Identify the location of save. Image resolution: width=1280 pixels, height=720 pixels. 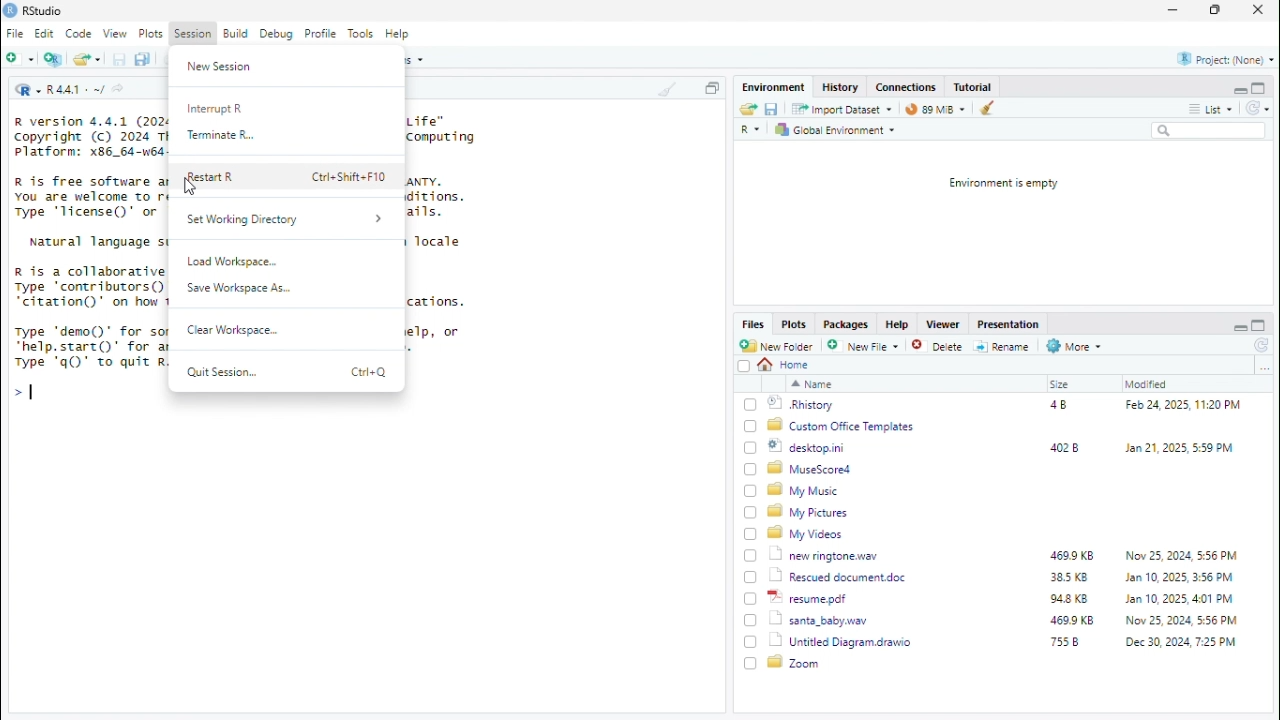
(119, 59).